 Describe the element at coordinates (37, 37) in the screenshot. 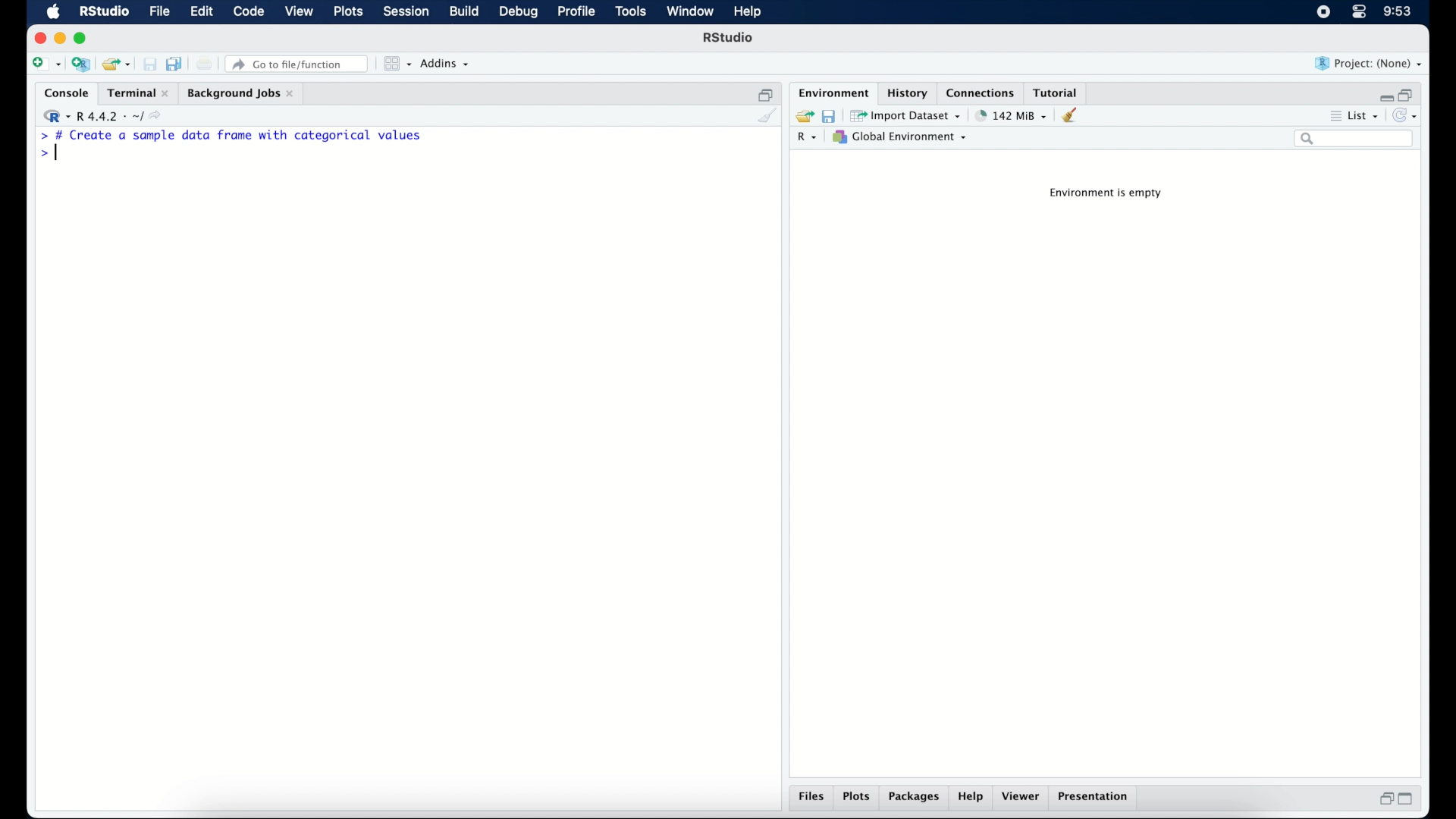

I see `close` at that location.